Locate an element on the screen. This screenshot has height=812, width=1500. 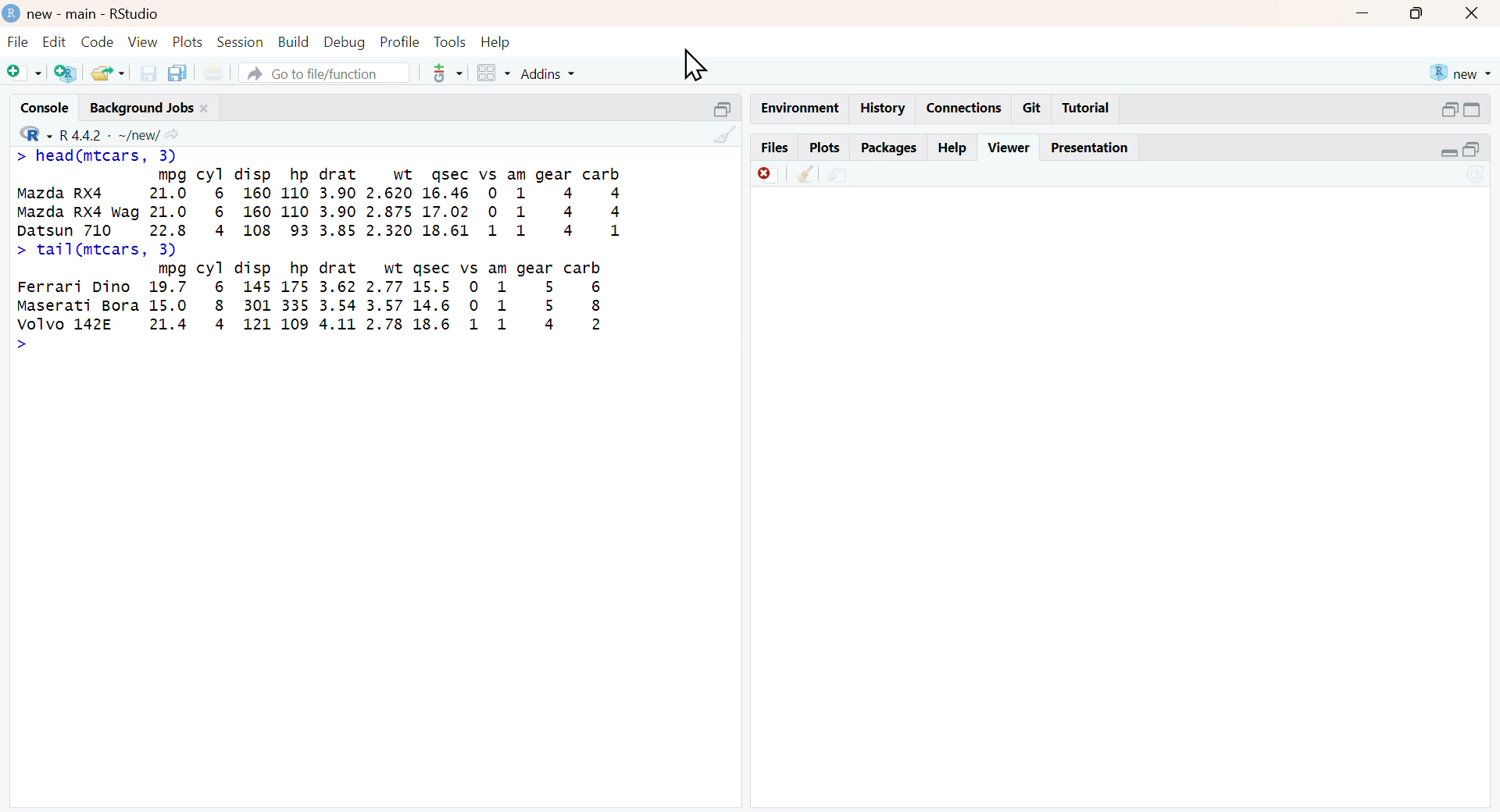
maximize is located at coordinates (1417, 14).